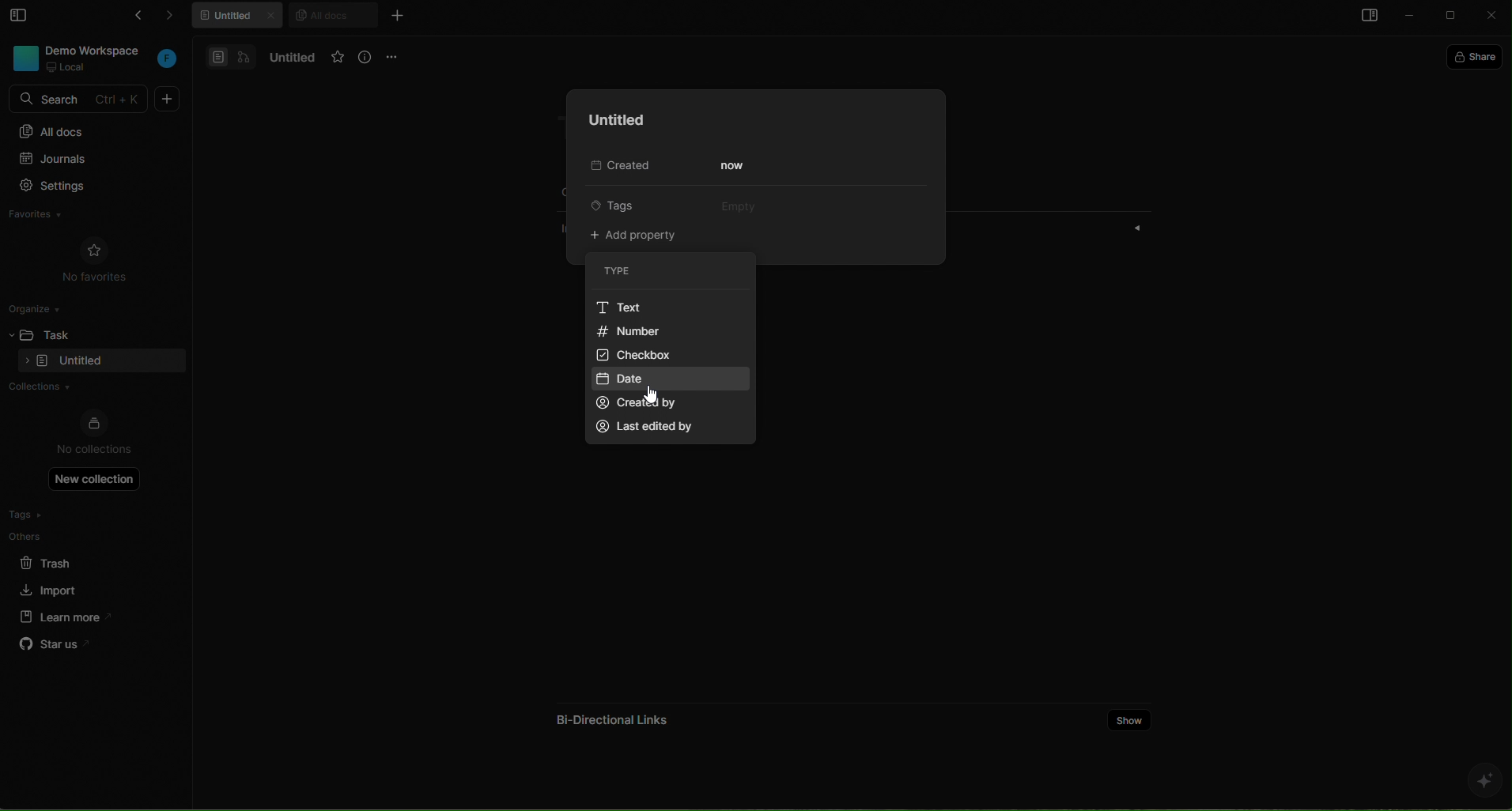 This screenshot has height=811, width=1512. I want to click on SEARCH, so click(81, 100).